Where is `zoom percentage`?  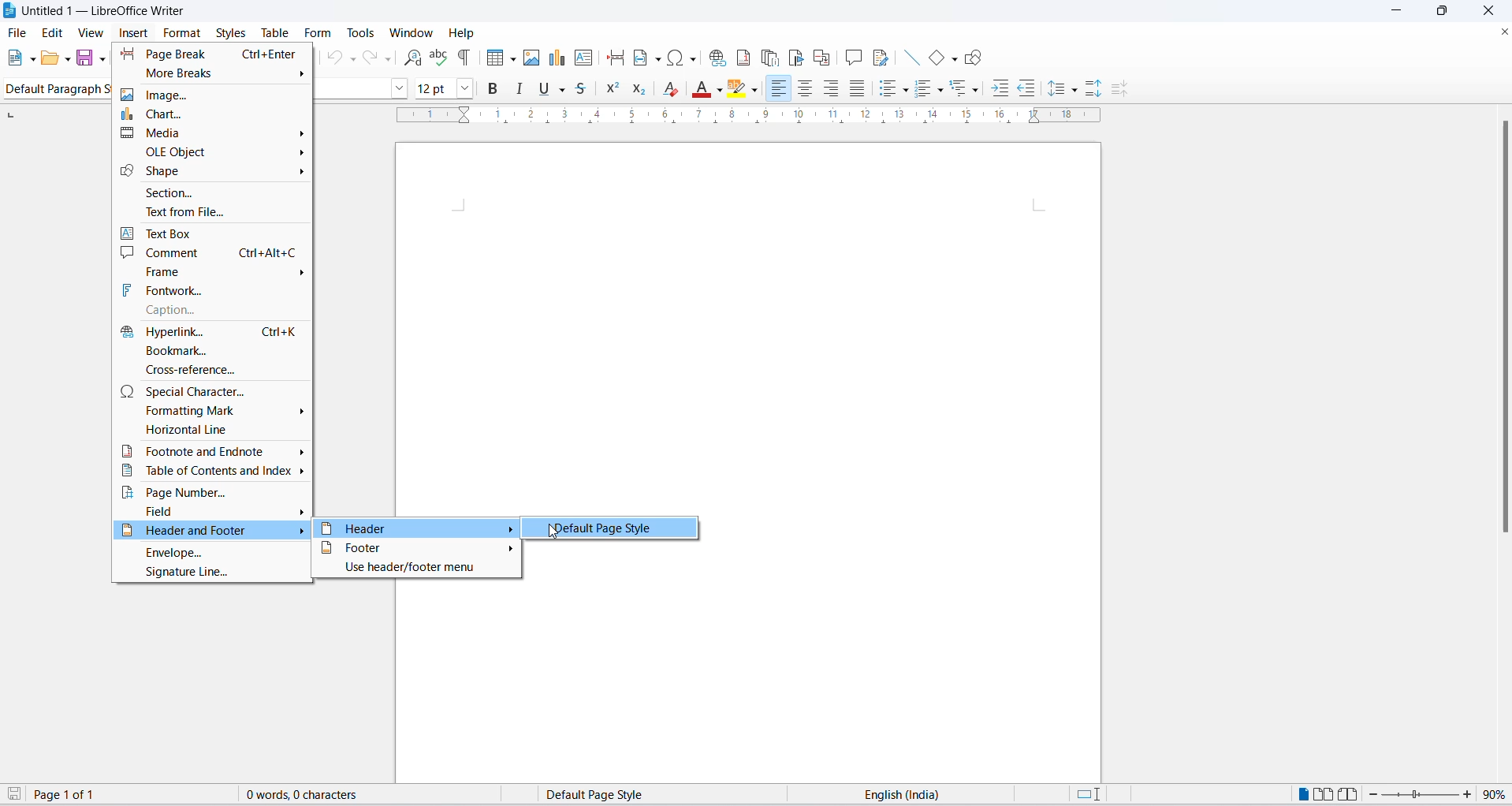 zoom percentage is located at coordinates (1497, 794).